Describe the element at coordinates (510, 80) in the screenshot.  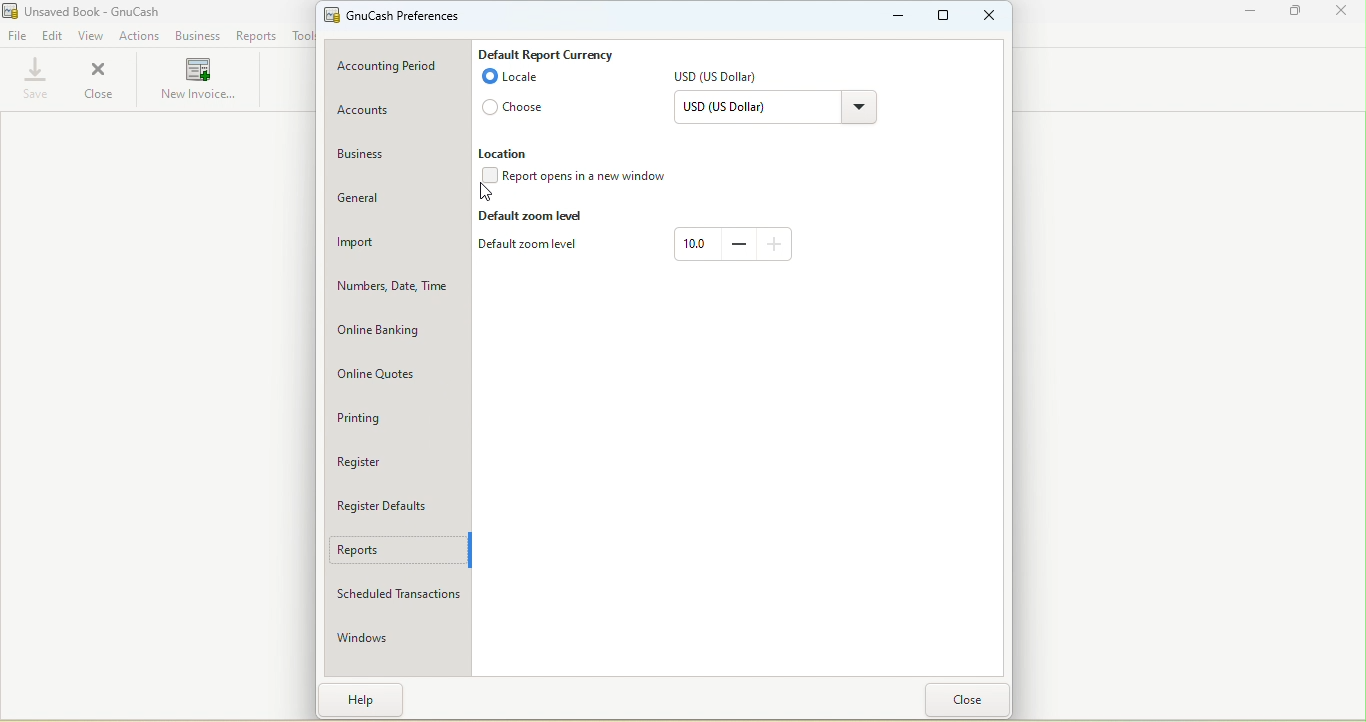
I see `Locale` at that location.